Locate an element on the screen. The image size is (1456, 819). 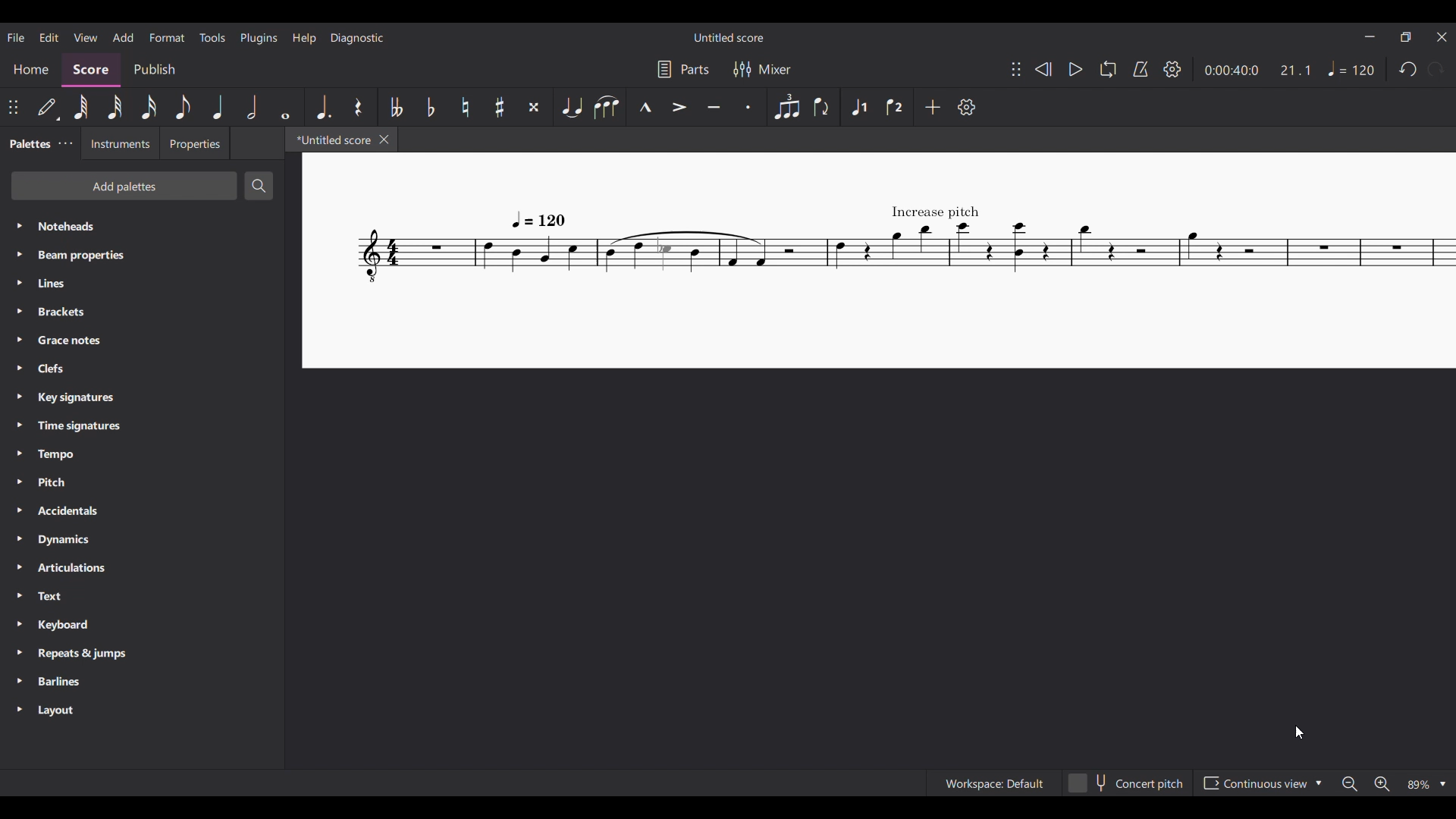
Accidentals is located at coordinates (142, 510).